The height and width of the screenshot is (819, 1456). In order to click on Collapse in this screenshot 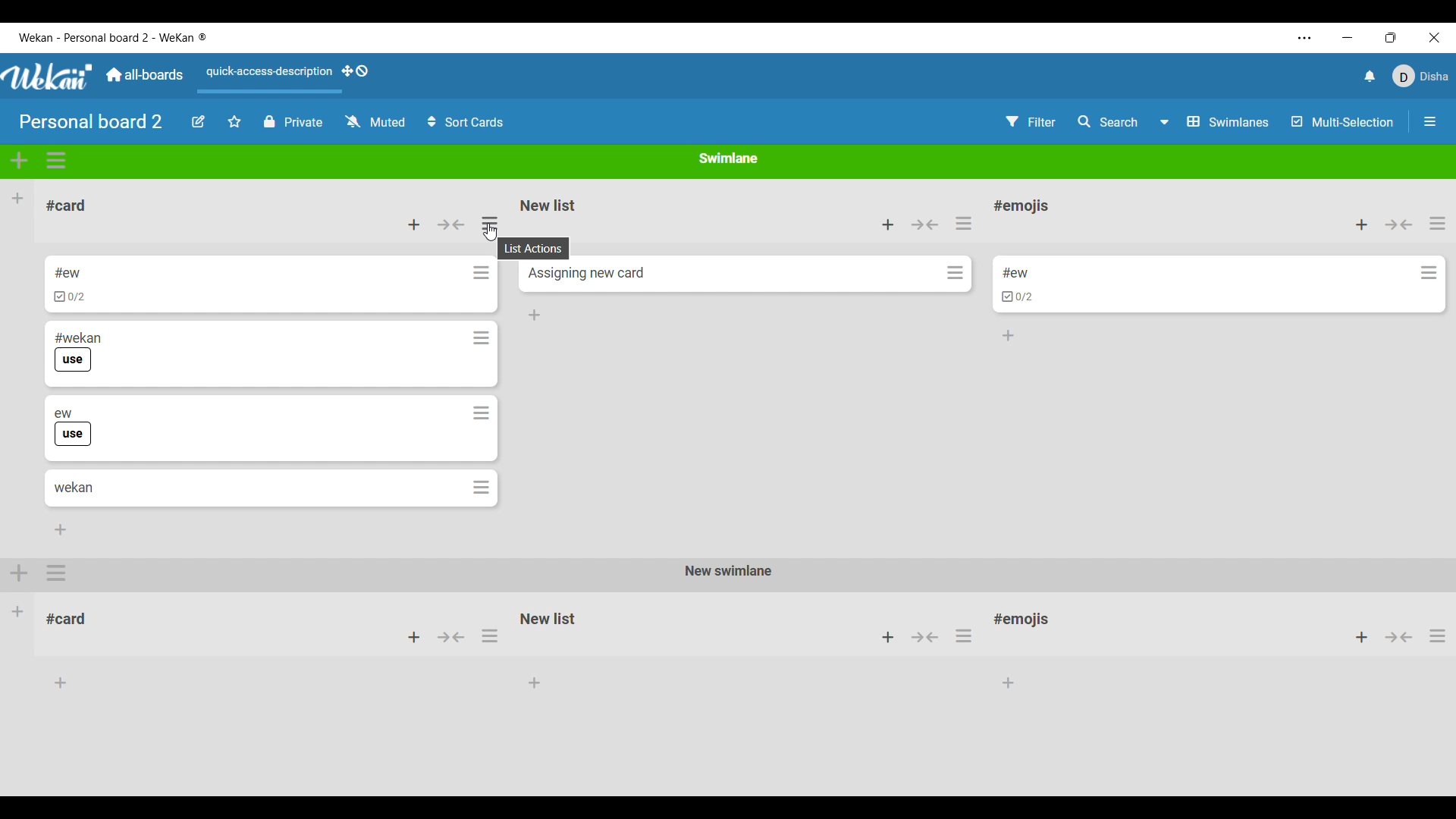, I will do `click(450, 224)`.